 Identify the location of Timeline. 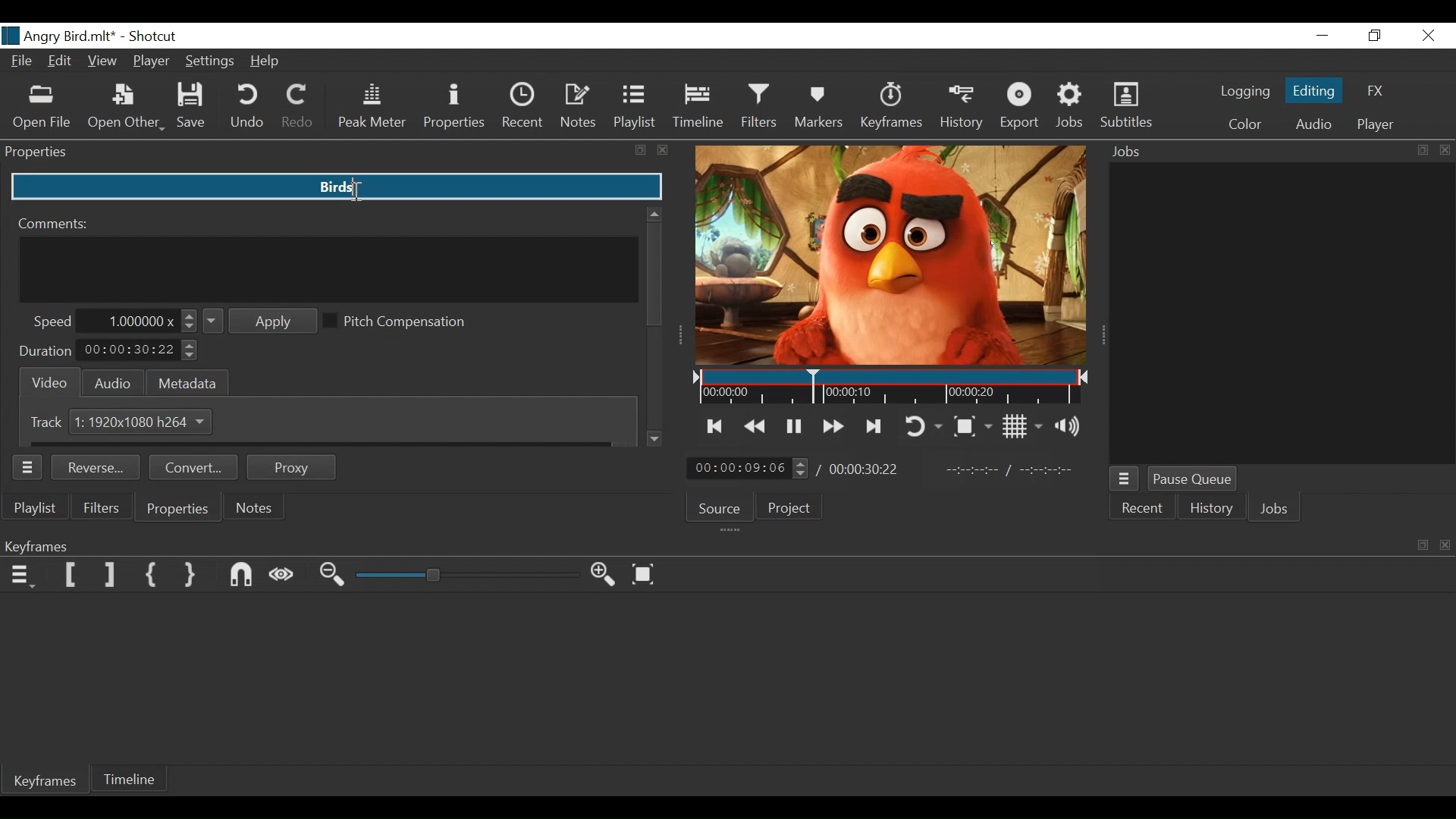
(698, 108).